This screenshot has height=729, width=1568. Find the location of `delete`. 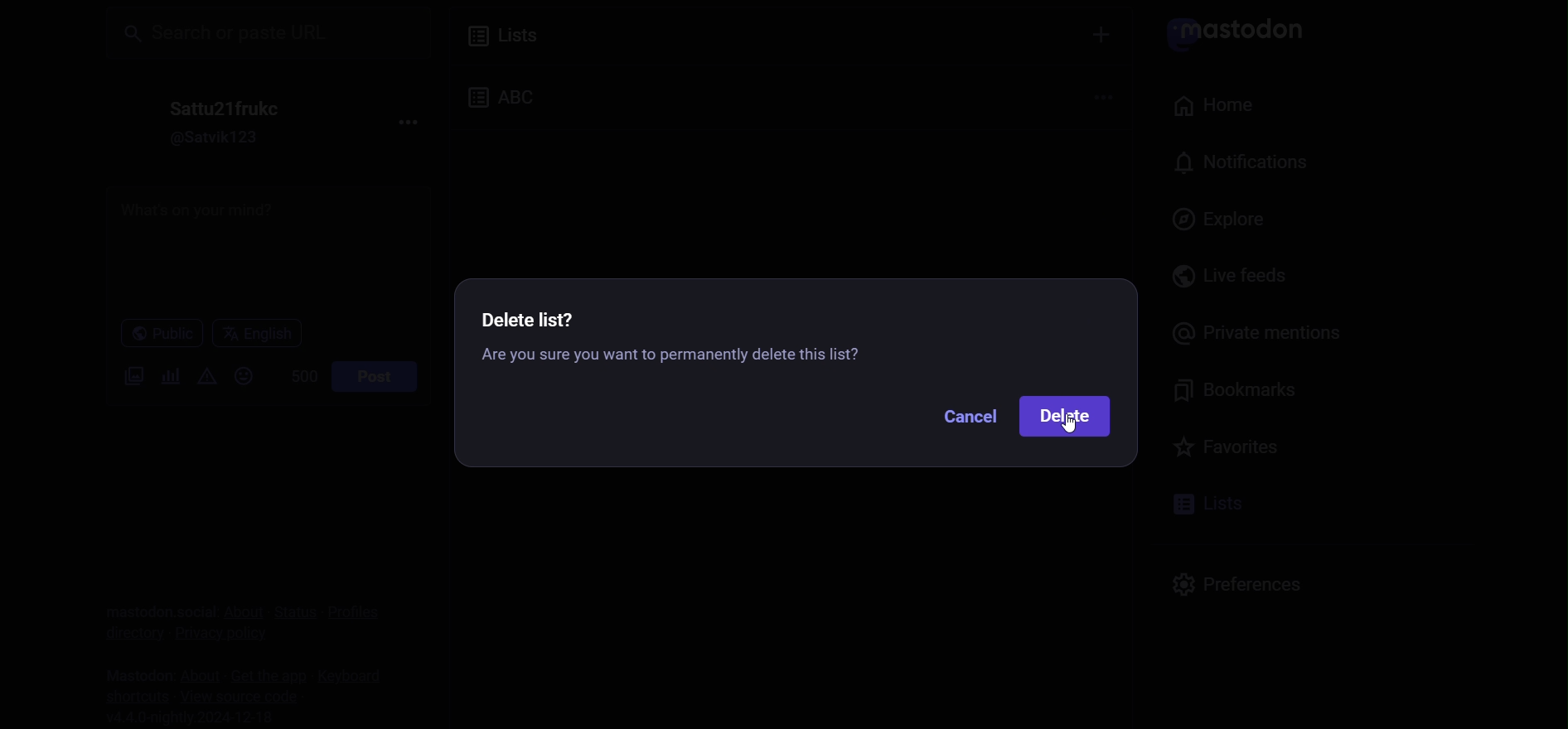

delete is located at coordinates (1067, 416).